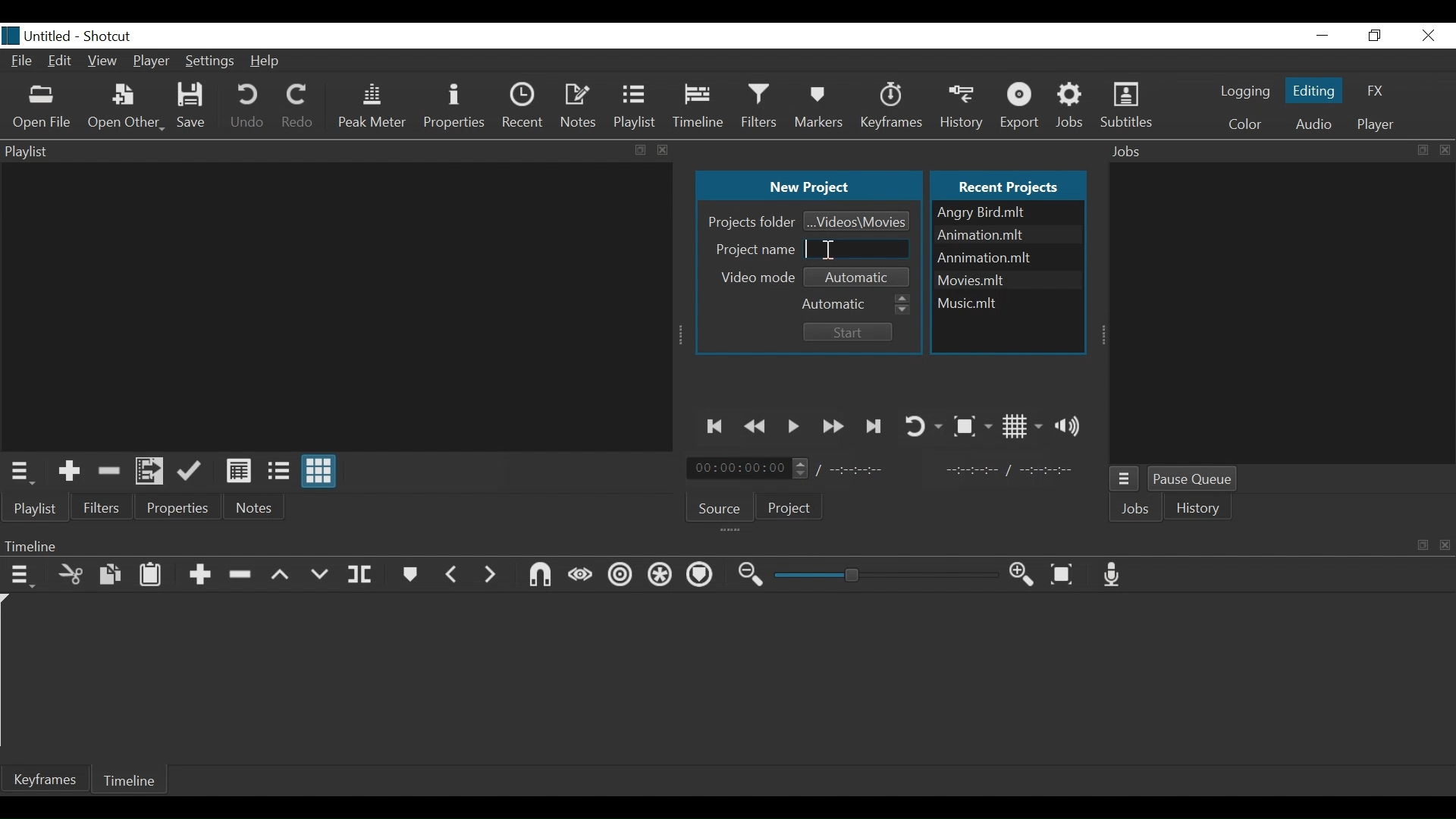 The image size is (1456, 819). I want to click on Keyframe, so click(46, 779).